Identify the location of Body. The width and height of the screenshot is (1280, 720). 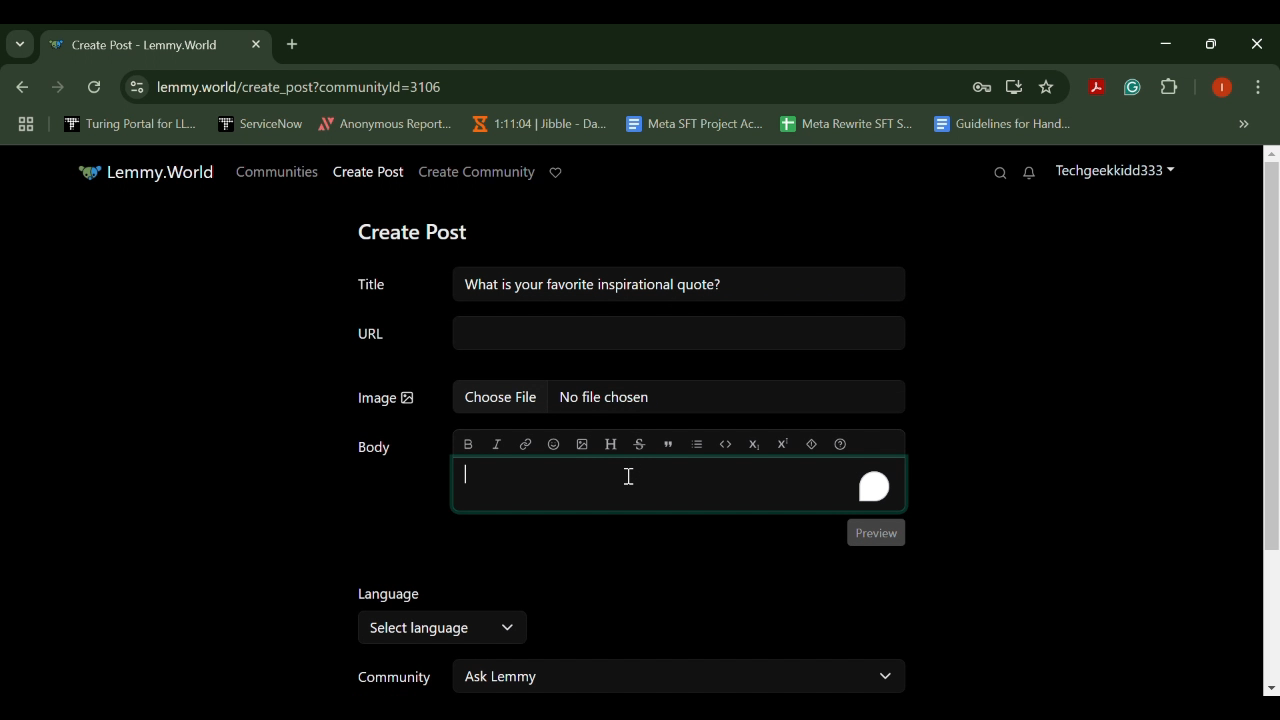
(377, 448).